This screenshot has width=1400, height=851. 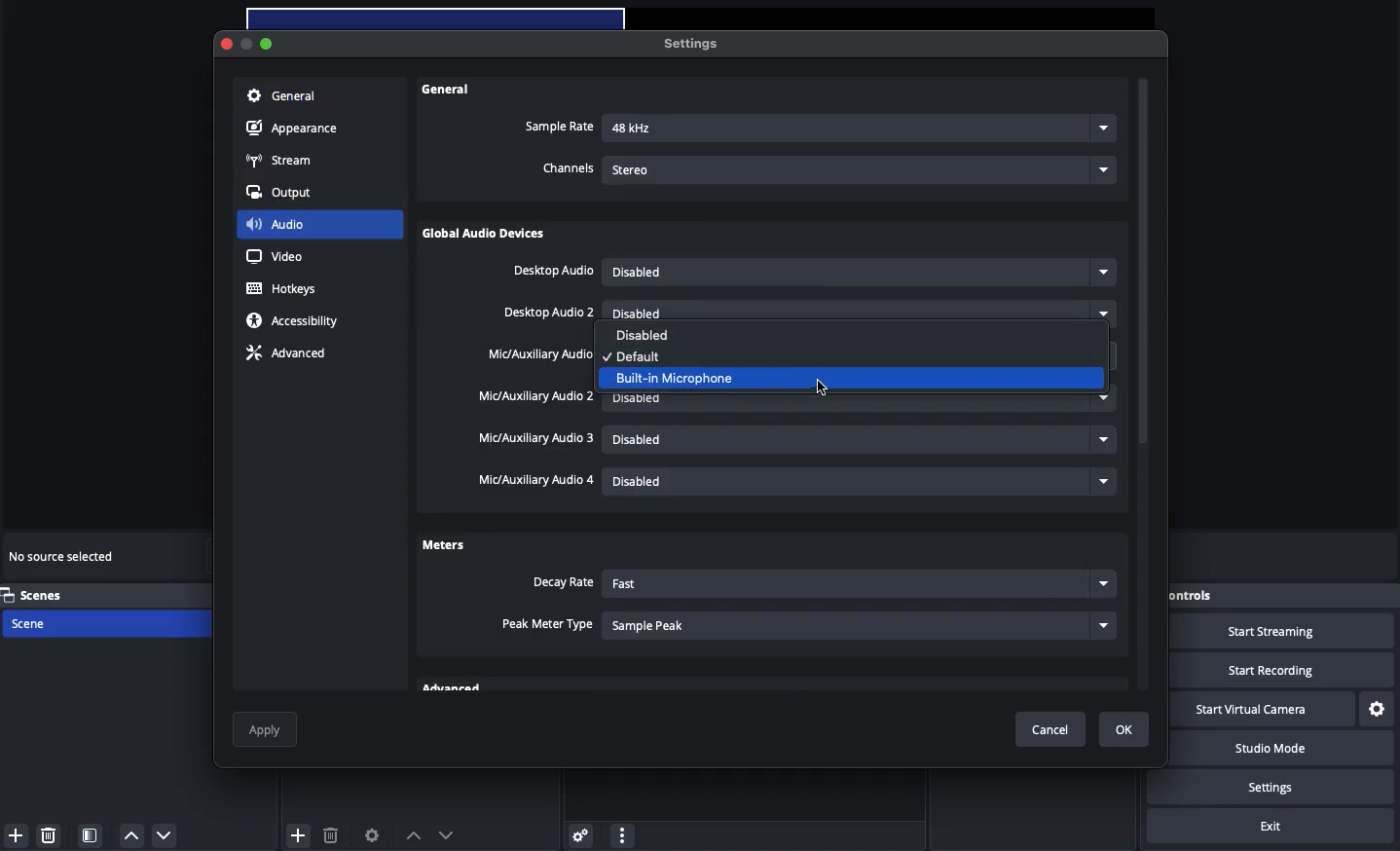 I want to click on Source preferences, so click(x=370, y=836).